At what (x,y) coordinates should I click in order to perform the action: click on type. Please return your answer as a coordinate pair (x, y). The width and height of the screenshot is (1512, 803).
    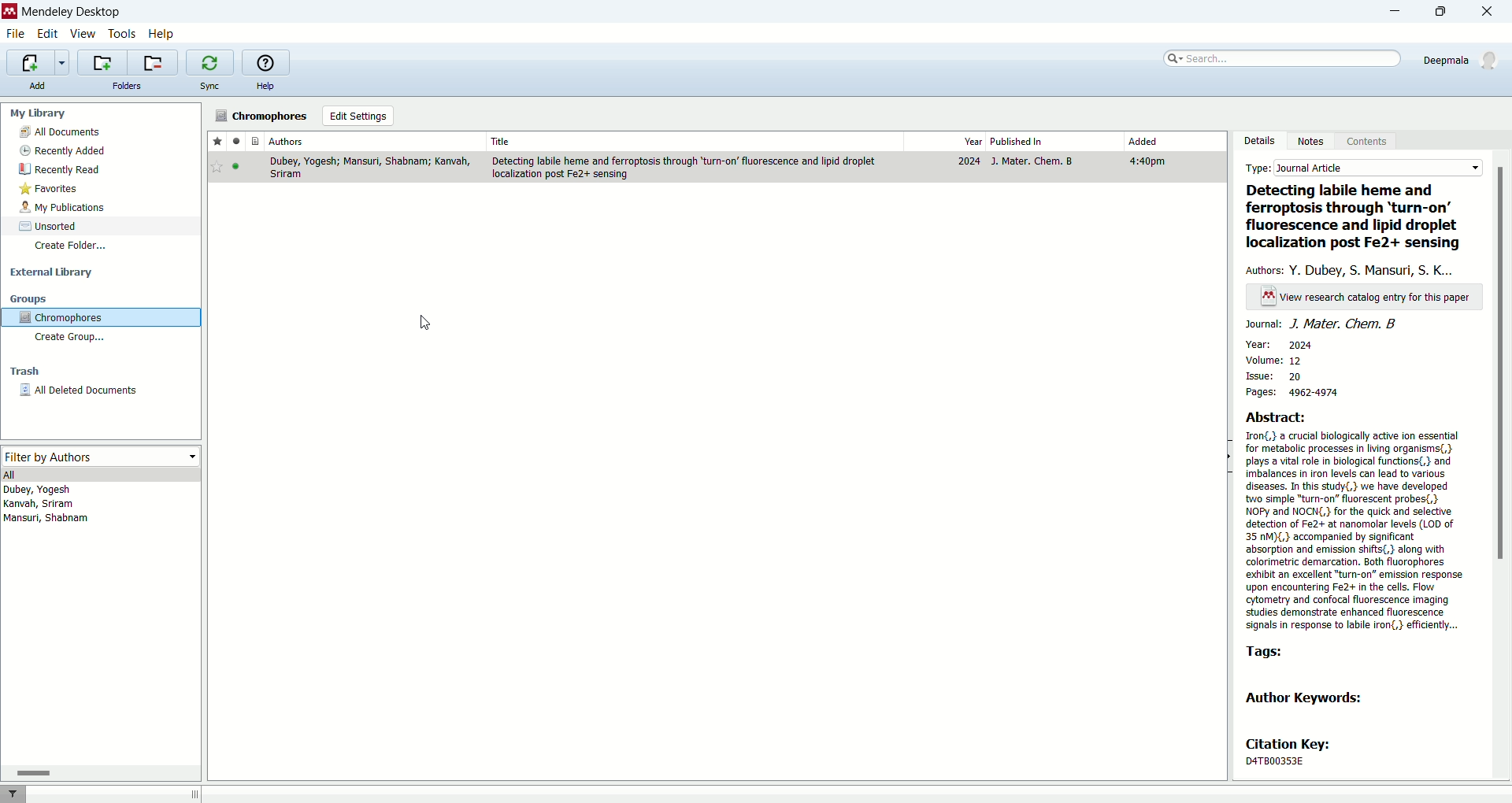
    Looking at the image, I should click on (1365, 169).